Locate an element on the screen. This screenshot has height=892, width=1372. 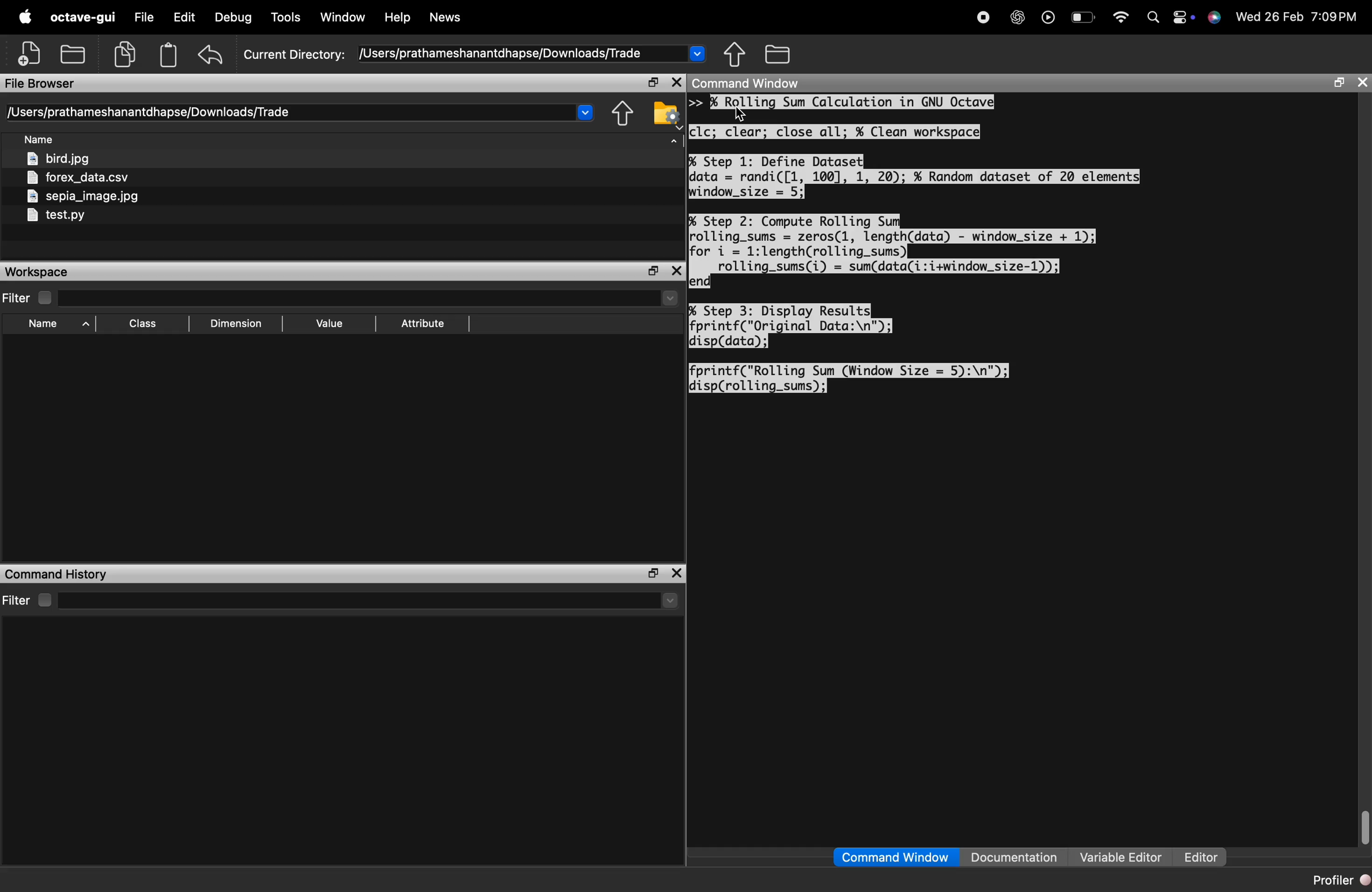
sort by name is located at coordinates (55, 324).